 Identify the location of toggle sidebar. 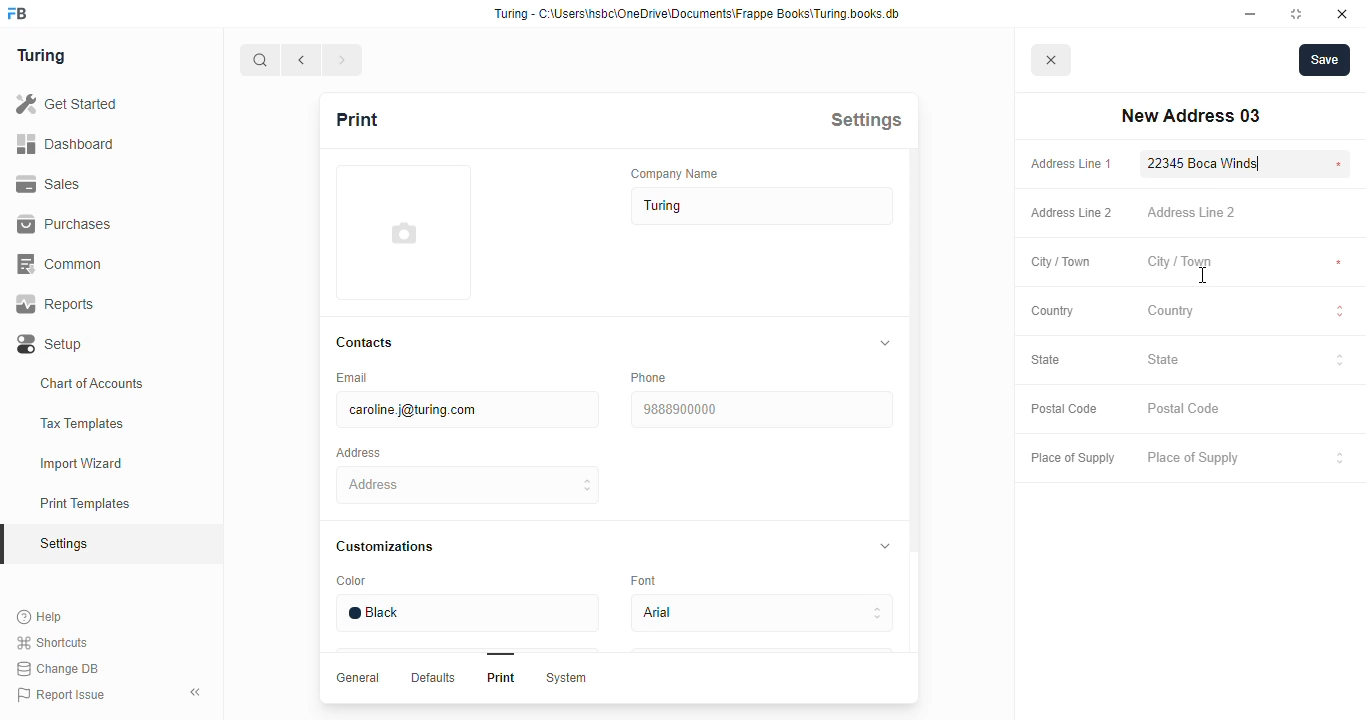
(198, 691).